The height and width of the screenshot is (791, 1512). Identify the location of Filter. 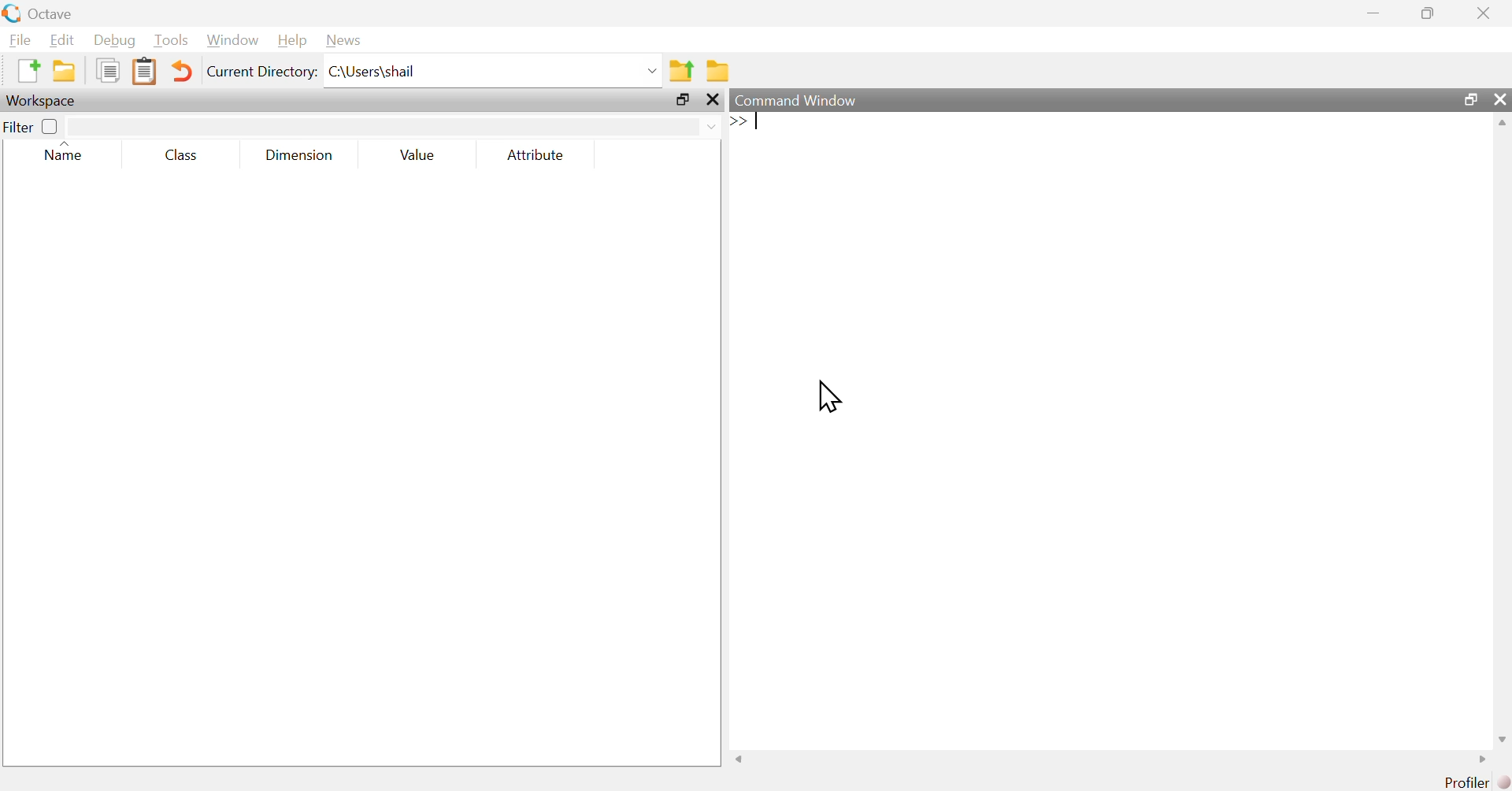
(32, 126).